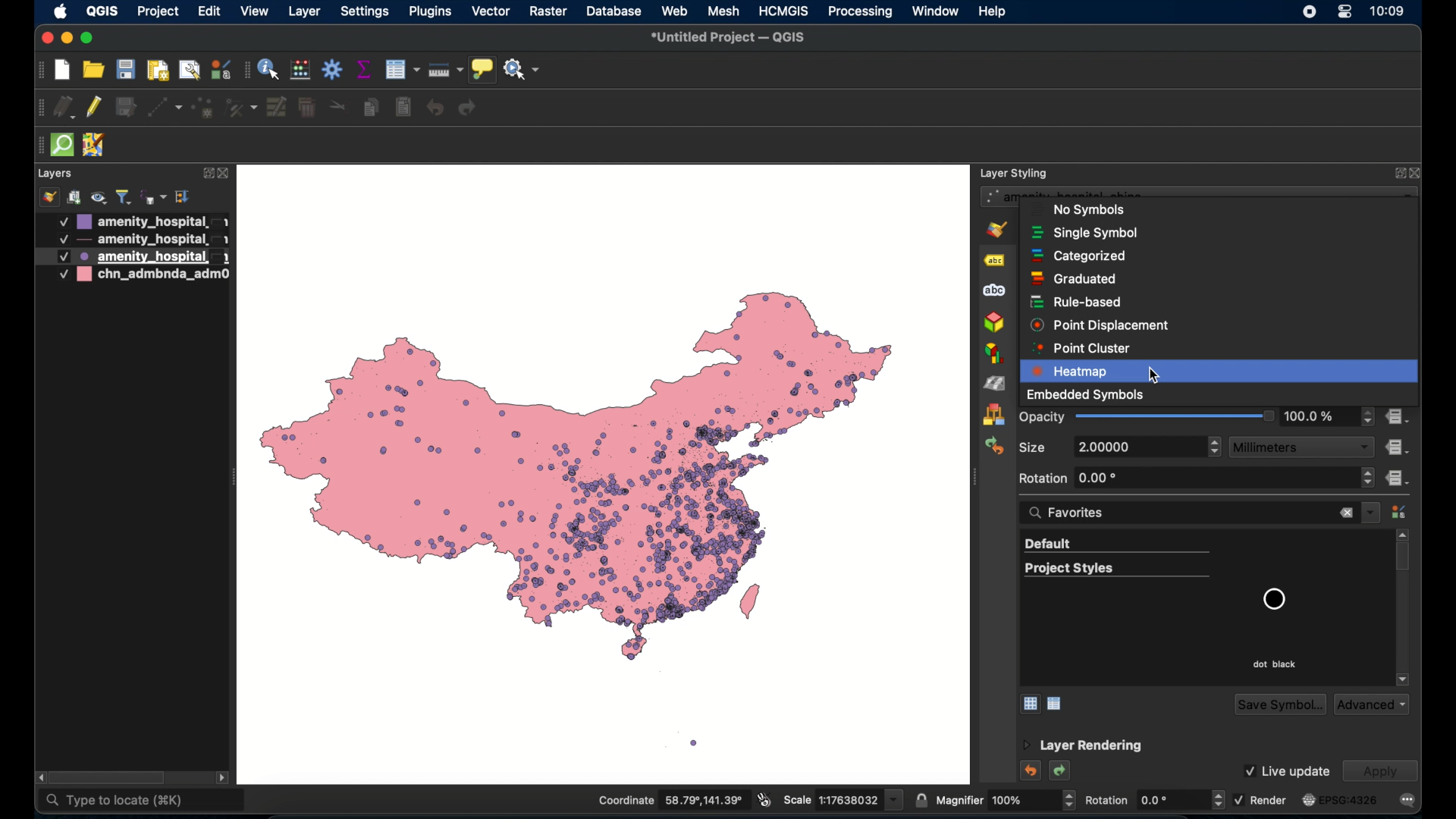 This screenshot has width=1456, height=819. Describe the element at coordinates (723, 11) in the screenshot. I see `mesh` at that location.